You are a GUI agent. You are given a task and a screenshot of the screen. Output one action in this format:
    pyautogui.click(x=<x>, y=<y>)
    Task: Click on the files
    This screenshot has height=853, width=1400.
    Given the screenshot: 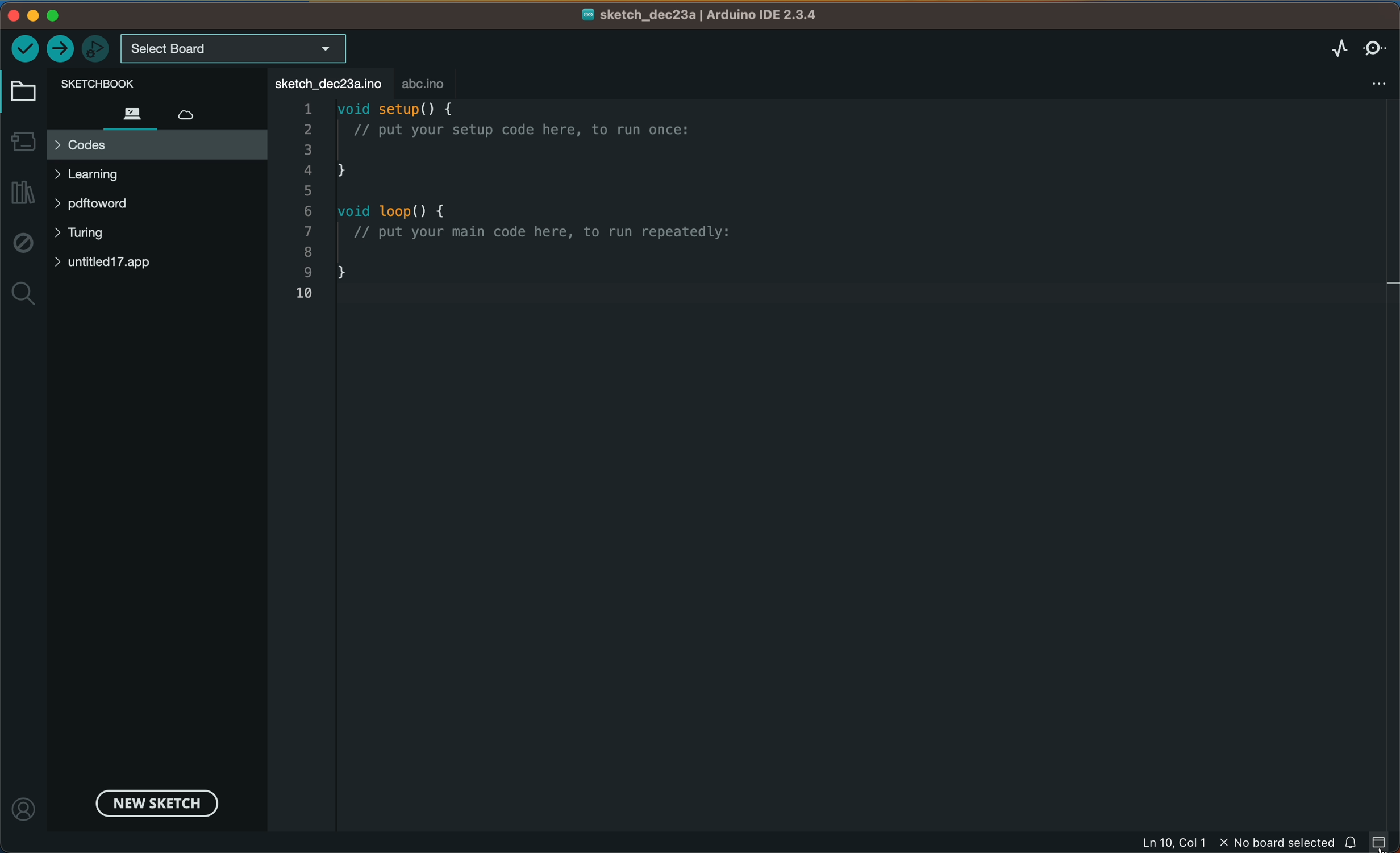 What is the action you would take?
    pyautogui.click(x=134, y=112)
    